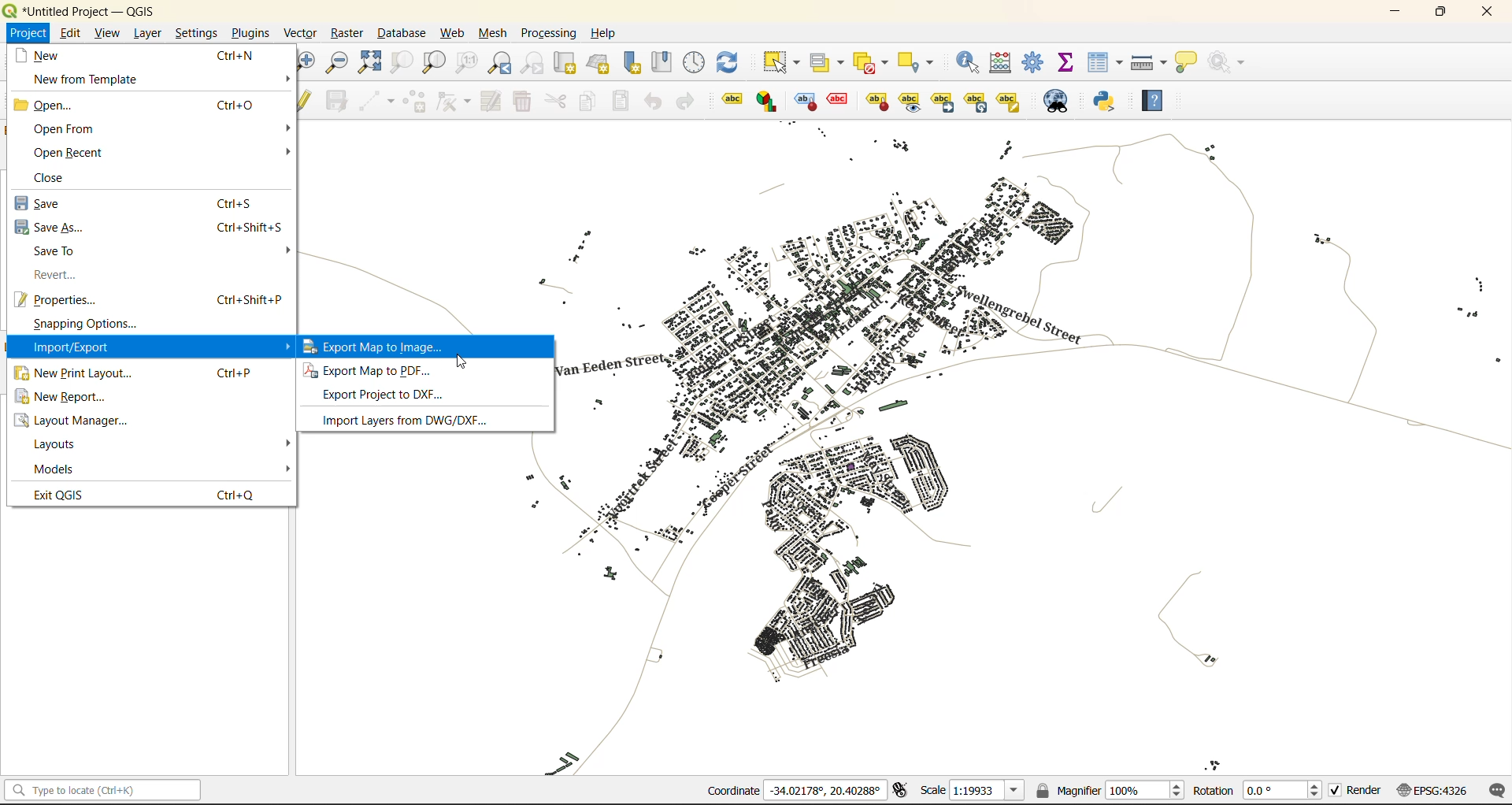  What do you see at coordinates (401, 34) in the screenshot?
I see `database` at bounding box center [401, 34].